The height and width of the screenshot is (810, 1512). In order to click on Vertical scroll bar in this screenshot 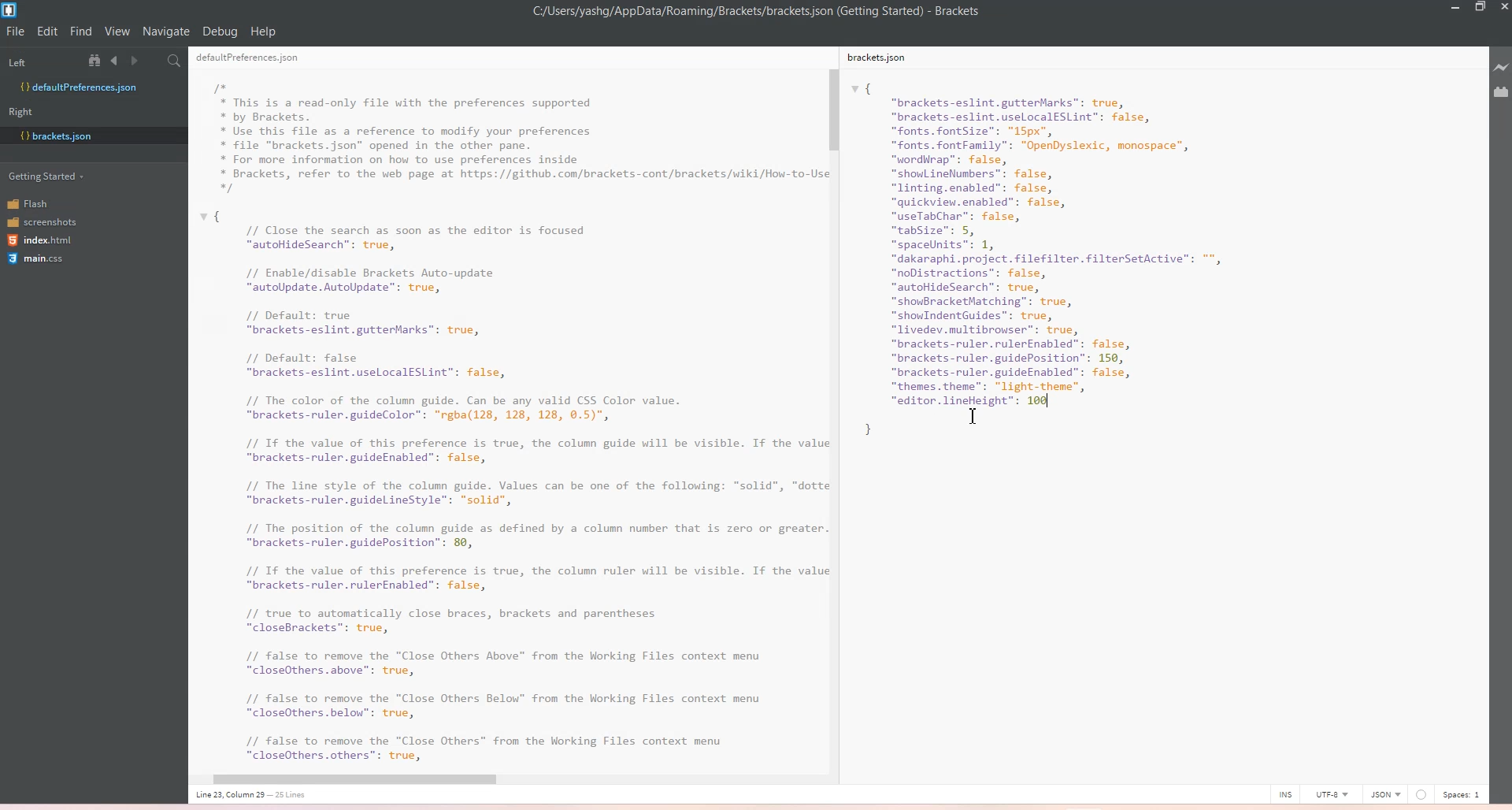, I will do `click(836, 403)`.